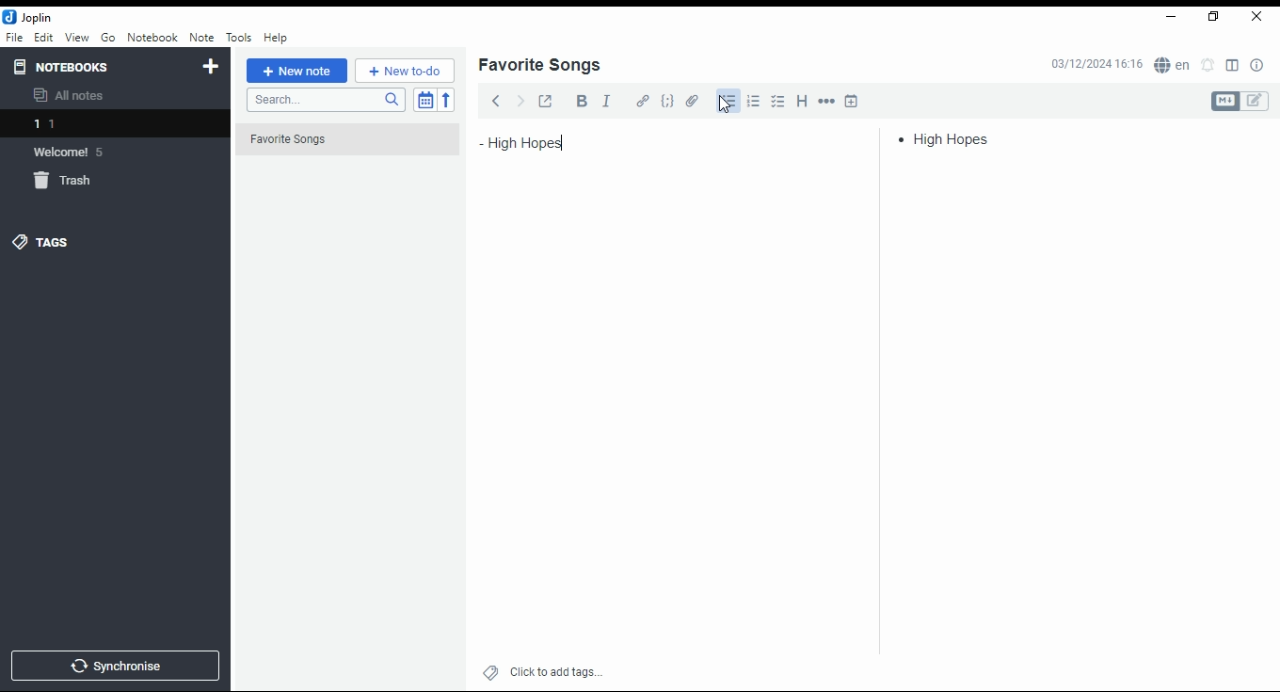  Describe the element at coordinates (211, 67) in the screenshot. I see `new notebook` at that location.